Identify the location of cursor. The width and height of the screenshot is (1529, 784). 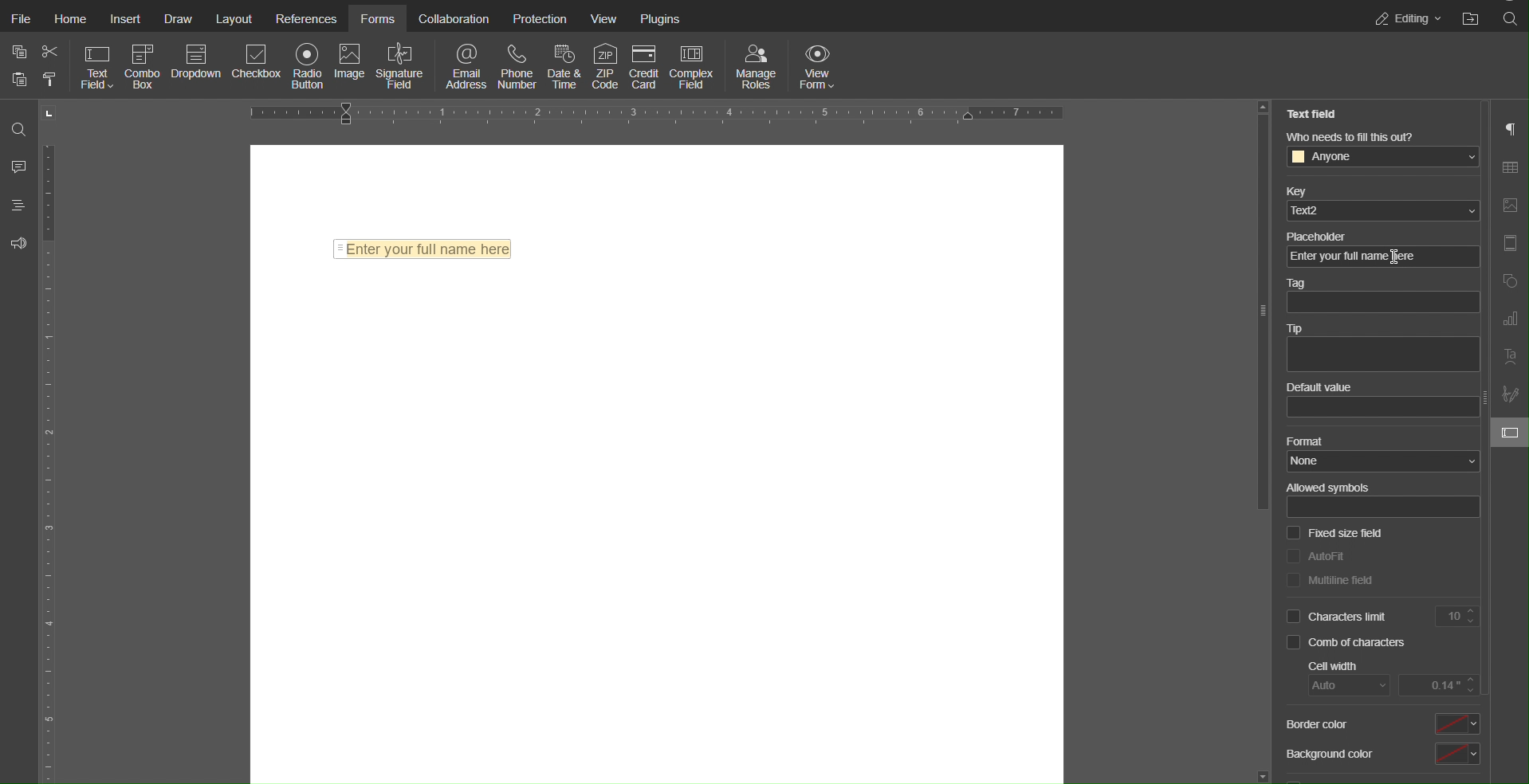
(1395, 259).